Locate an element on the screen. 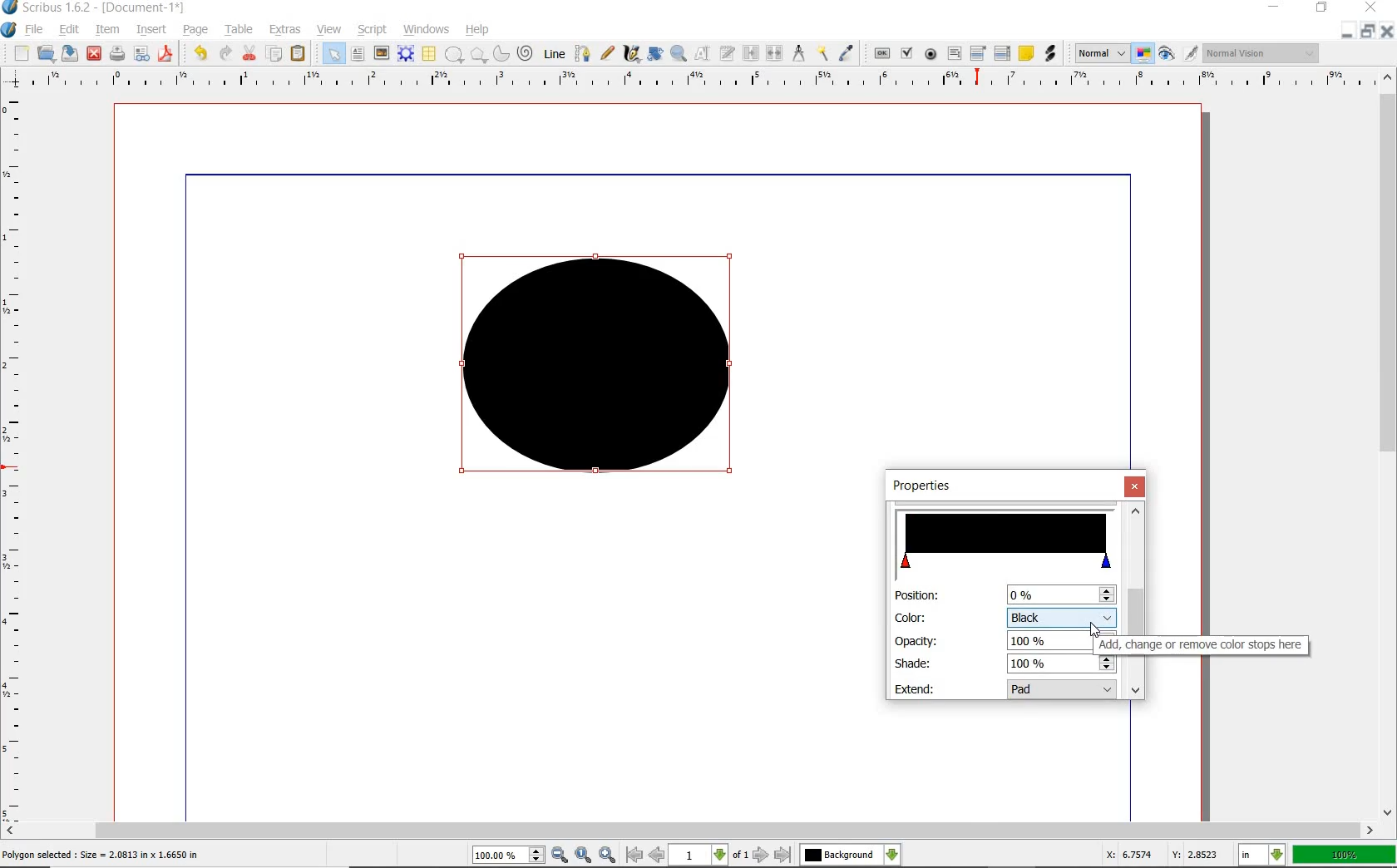  EXTRAS is located at coordinates (285, 30).